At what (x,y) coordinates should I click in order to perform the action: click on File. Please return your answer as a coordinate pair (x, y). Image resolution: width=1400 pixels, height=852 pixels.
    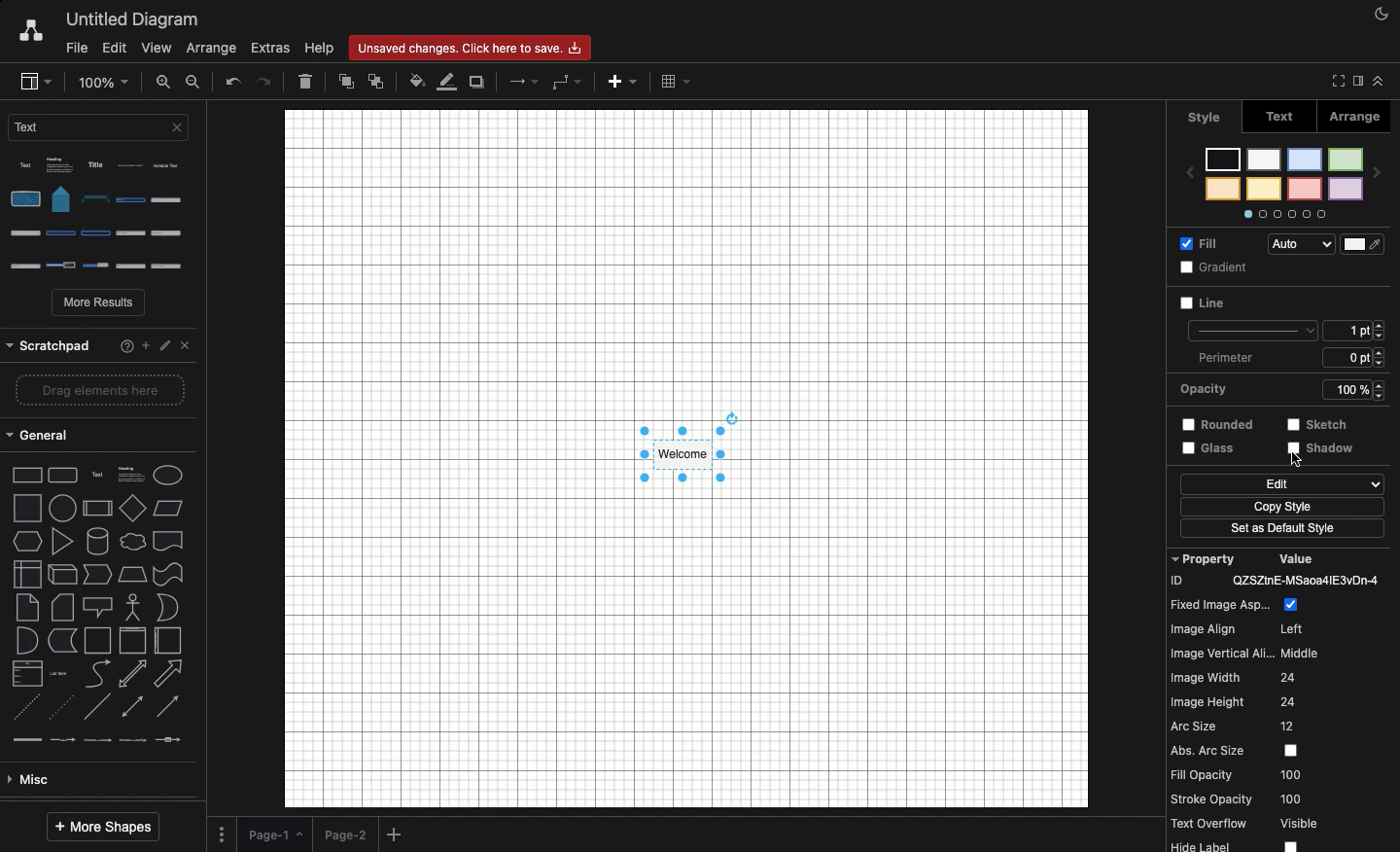
    Looking at the image, I should click on (74, 49).